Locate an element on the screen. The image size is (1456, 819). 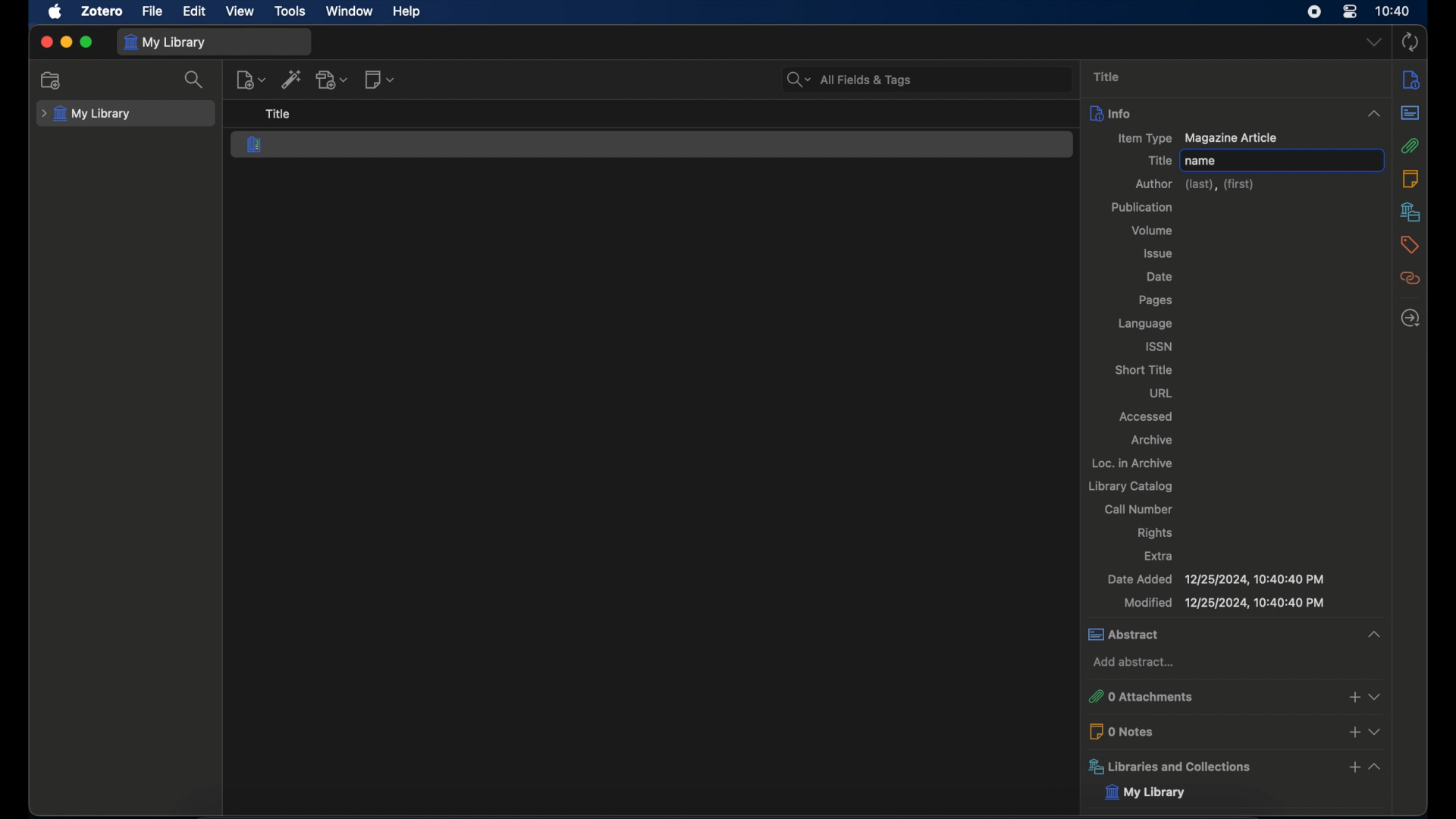
minimize is located at coordinates (65, 42).